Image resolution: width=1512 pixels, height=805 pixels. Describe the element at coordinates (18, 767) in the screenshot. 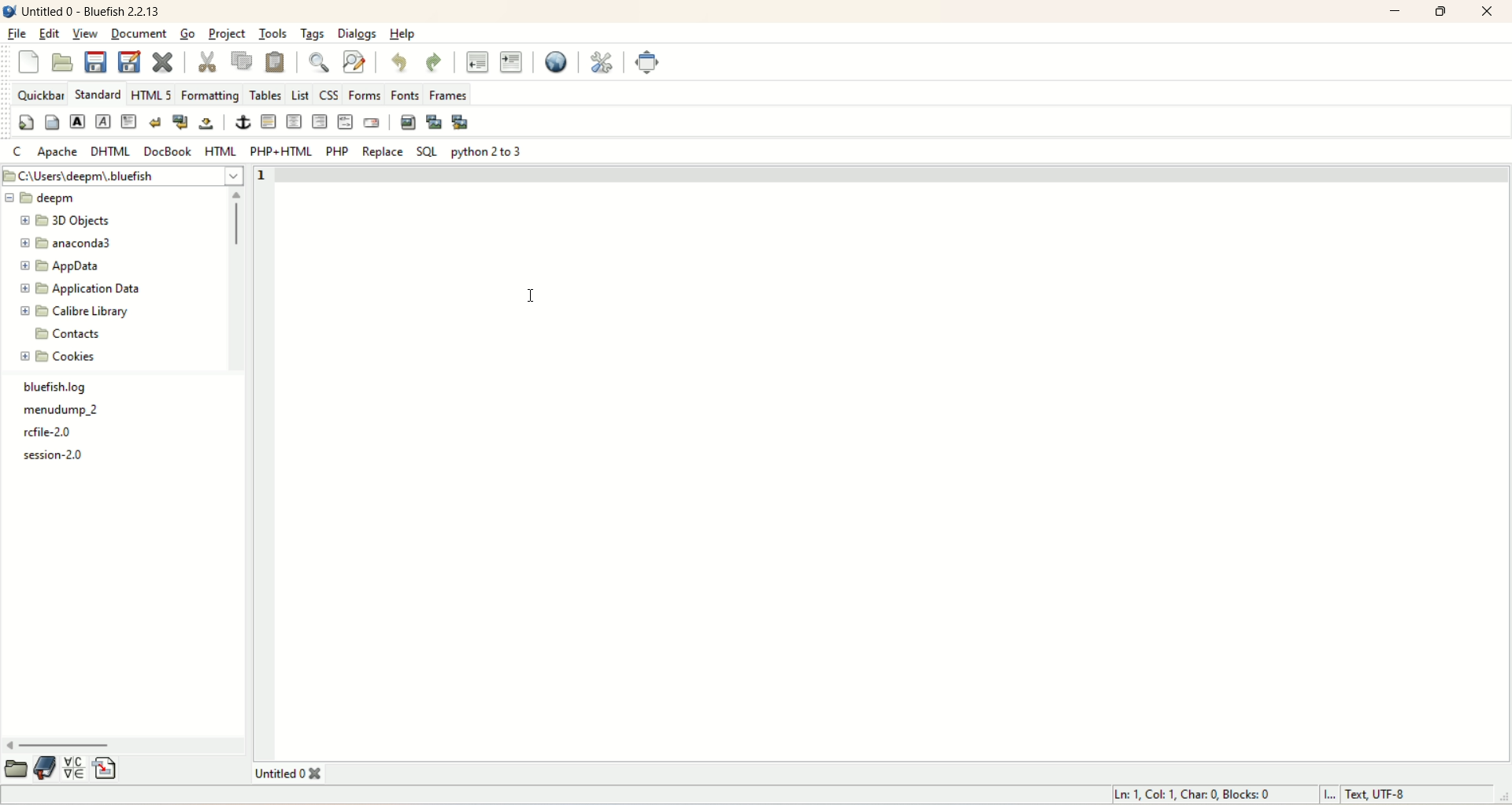

I see `open` at that location.